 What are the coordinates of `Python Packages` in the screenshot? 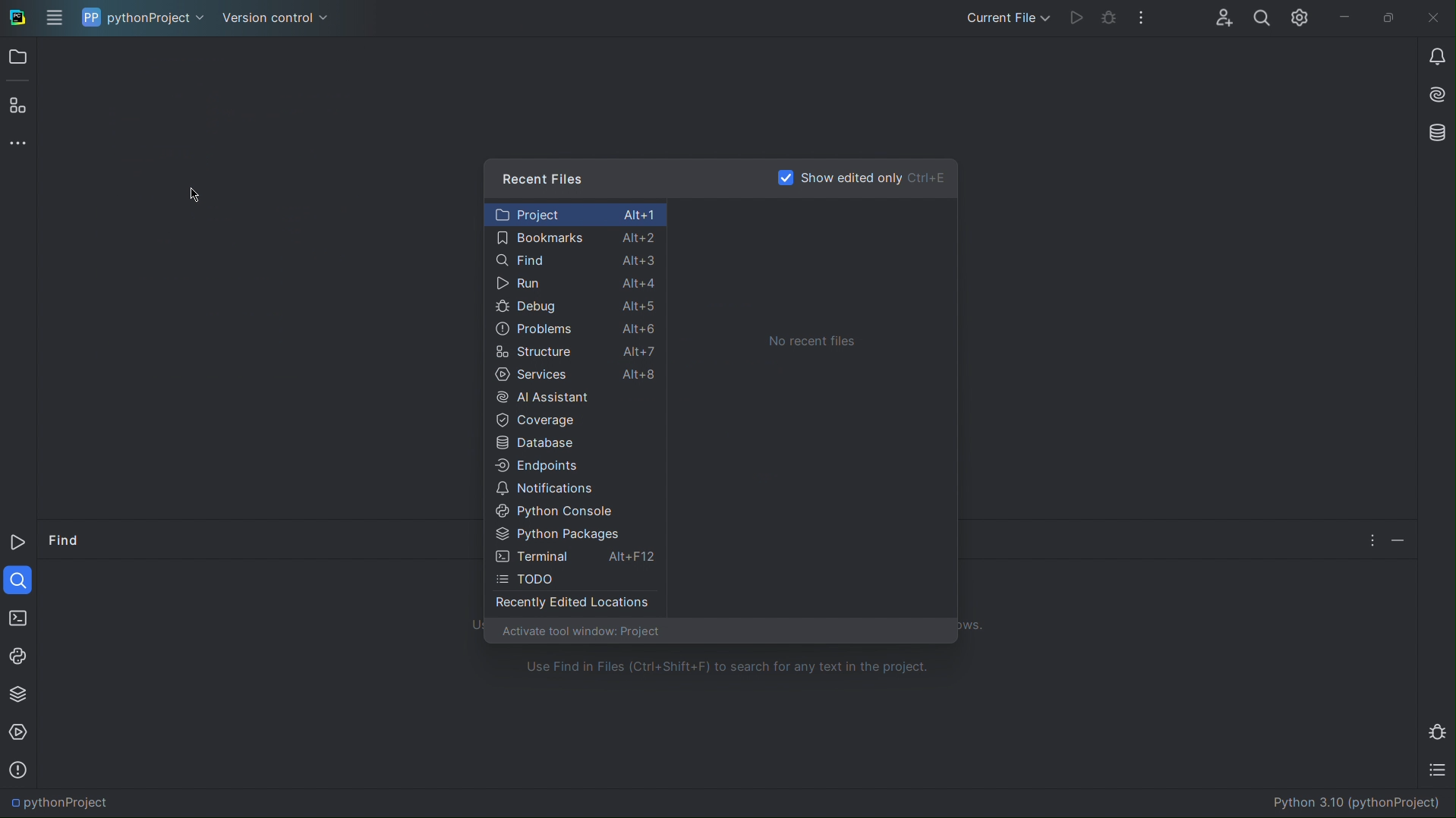 It's located at (17, 693).